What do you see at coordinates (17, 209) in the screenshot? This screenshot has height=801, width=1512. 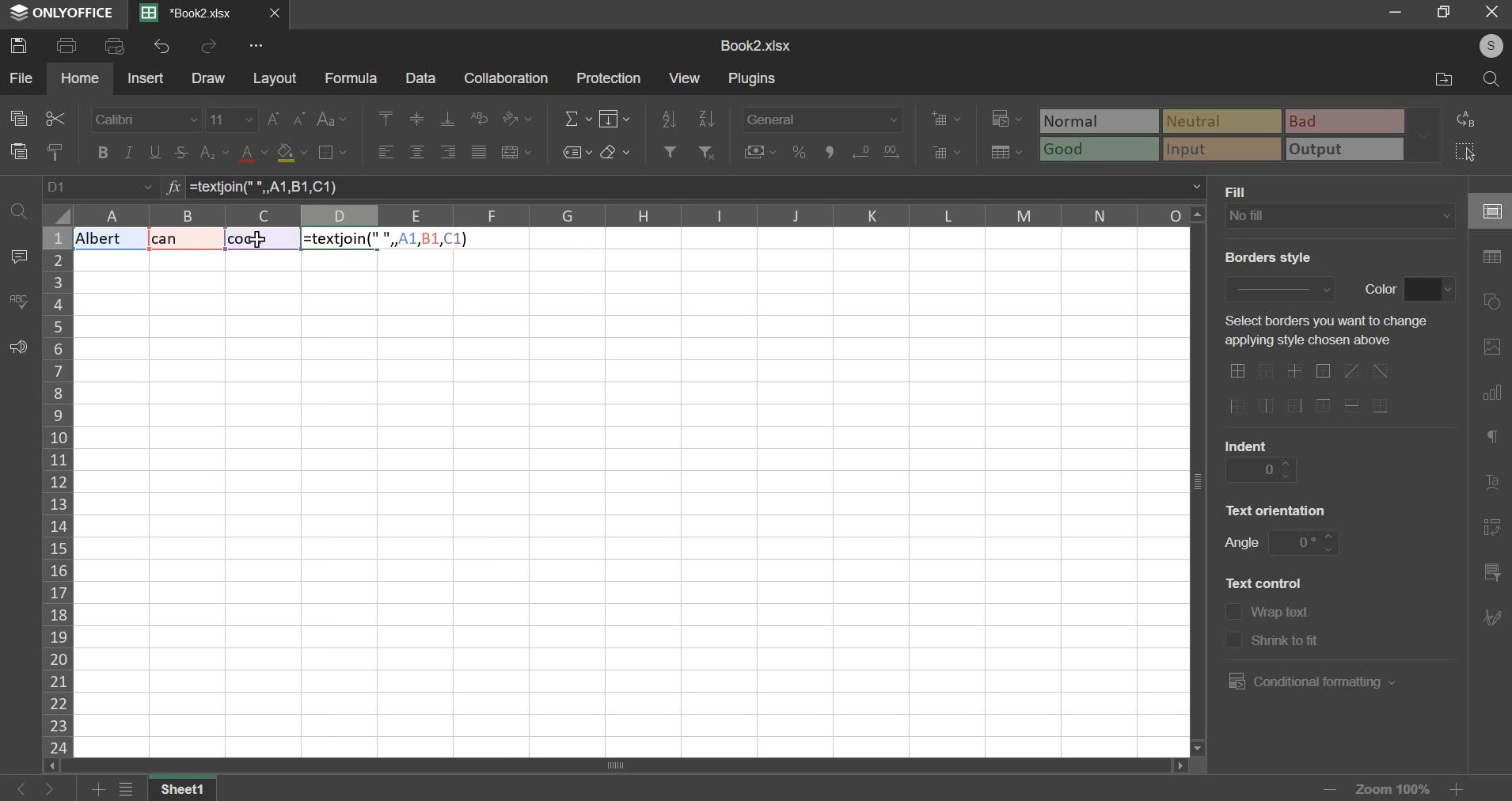 I see `find` at bounding box center [17, 209].